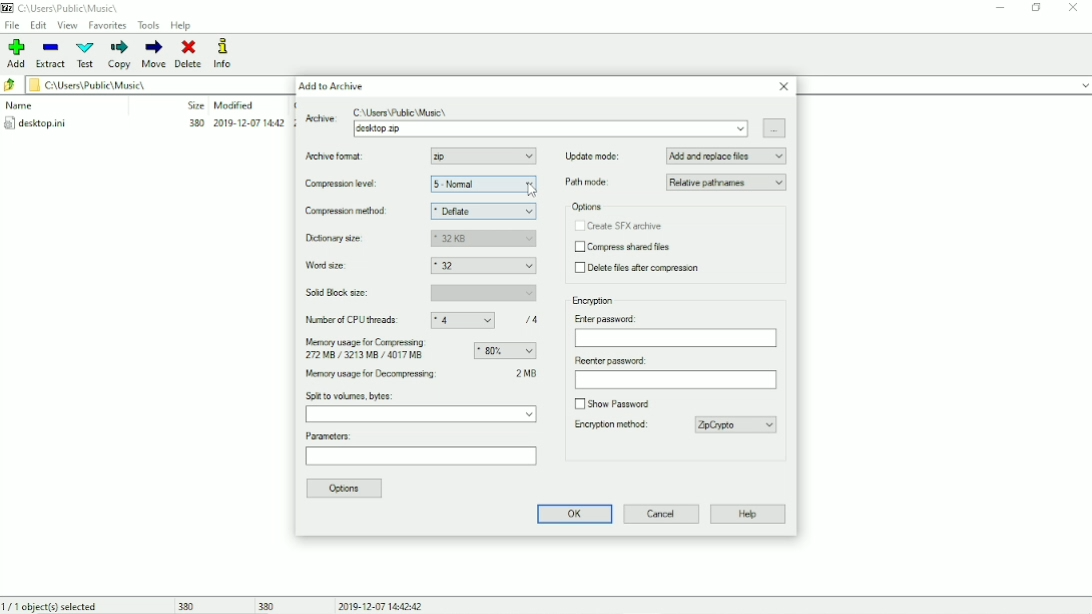  I want to click on desktop.zip, so click(549, 129).